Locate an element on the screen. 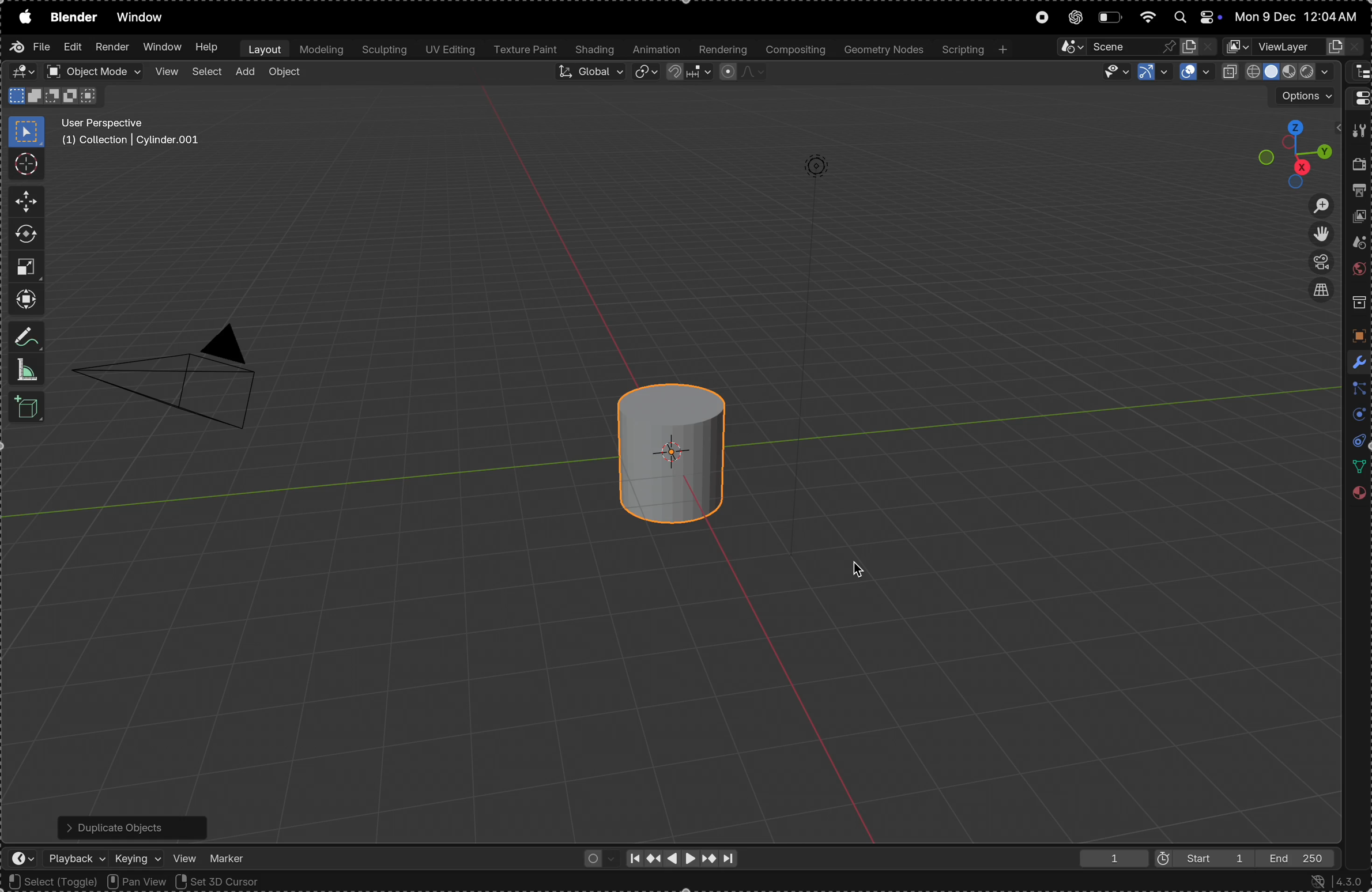 The width and height of the screenshot is (1372, 892). scripting + is located at coordinates (974, 48).